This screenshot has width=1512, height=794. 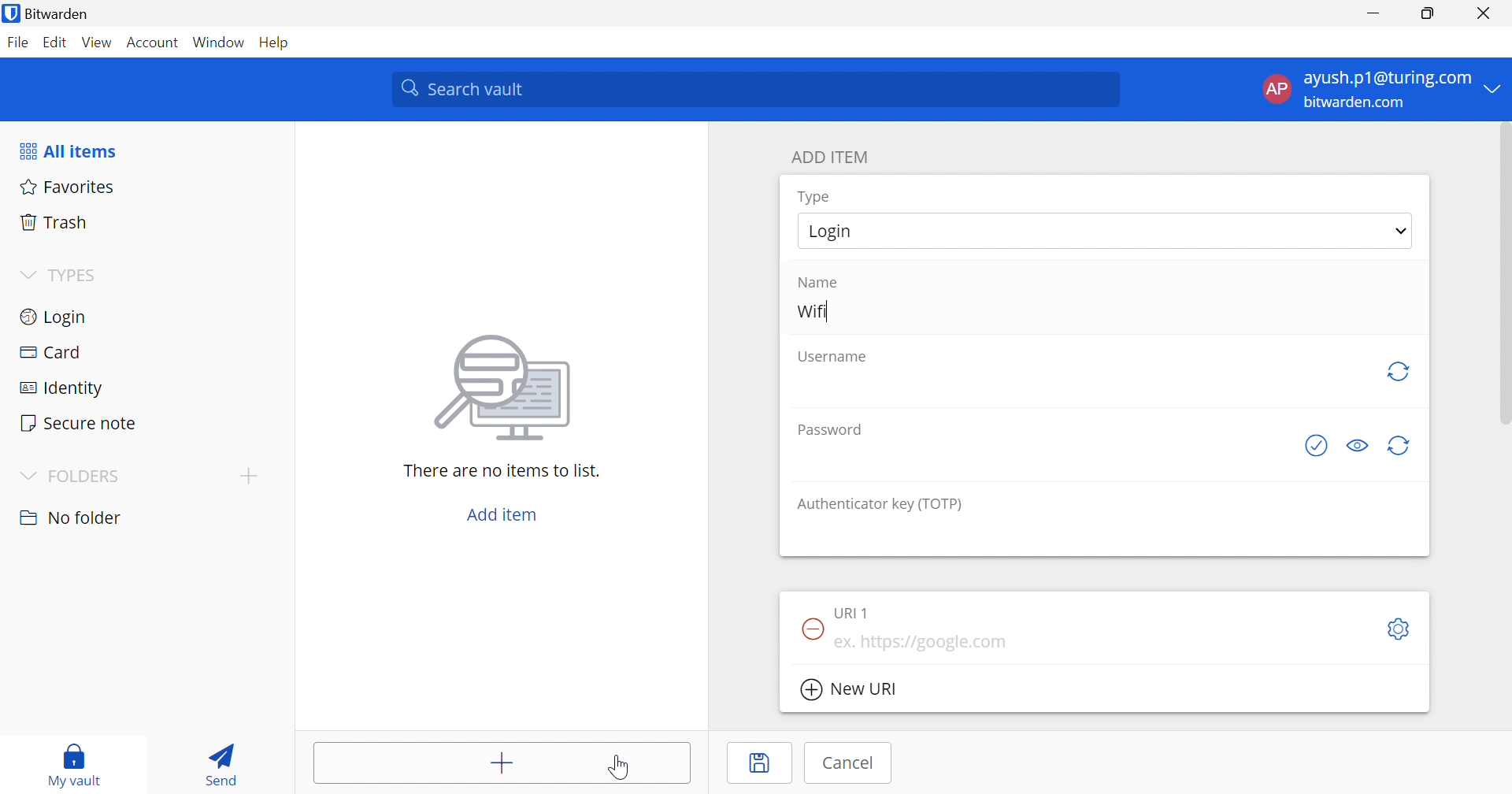 I want to click on View, so click(x=96, y=42).